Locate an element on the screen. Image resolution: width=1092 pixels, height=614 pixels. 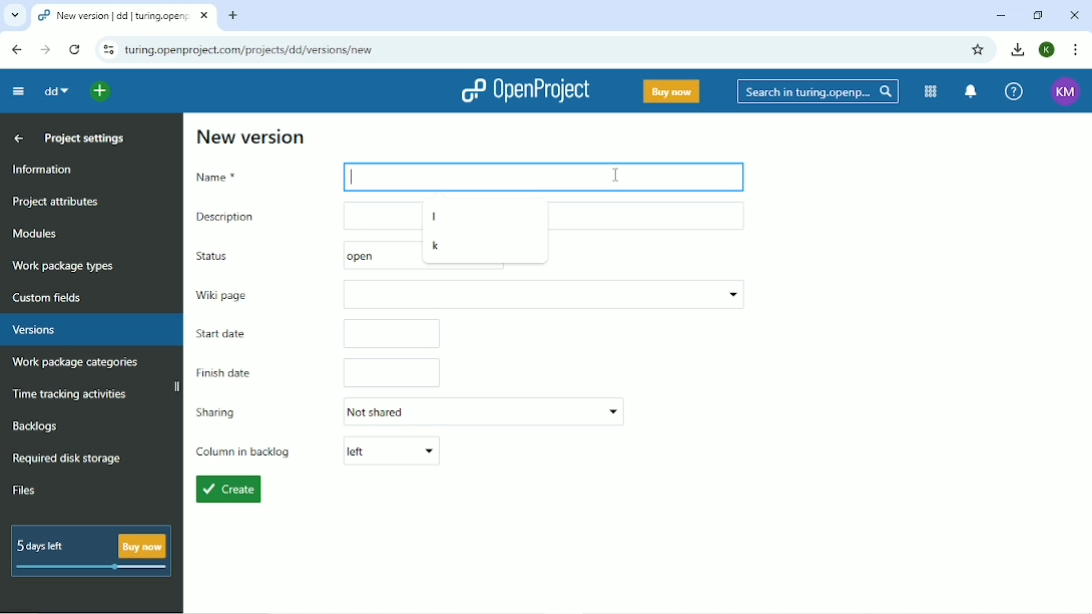
Current tab is located at coordinates (124, 14).